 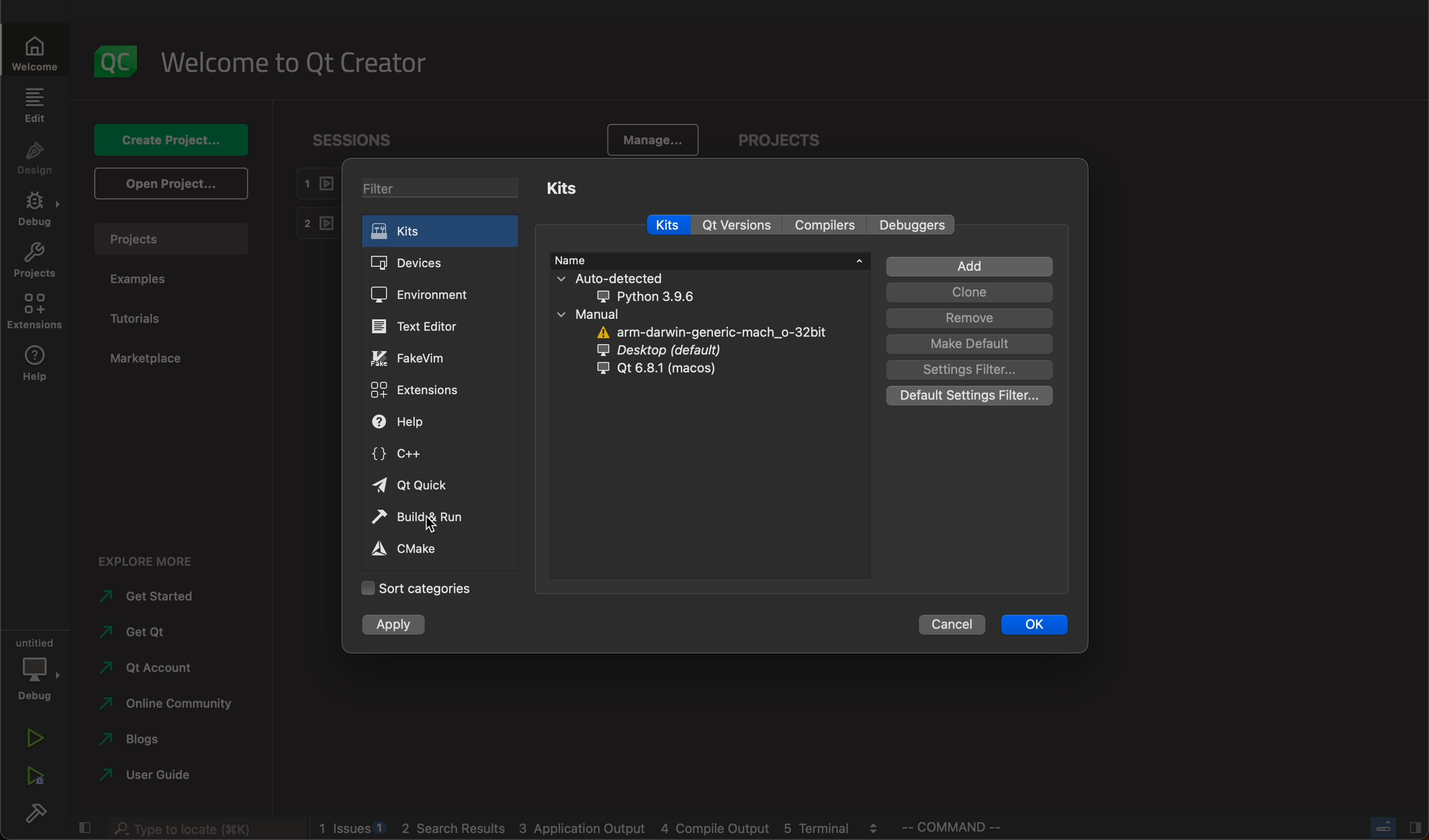 I want to click on filters, so click(x=441, y=189).